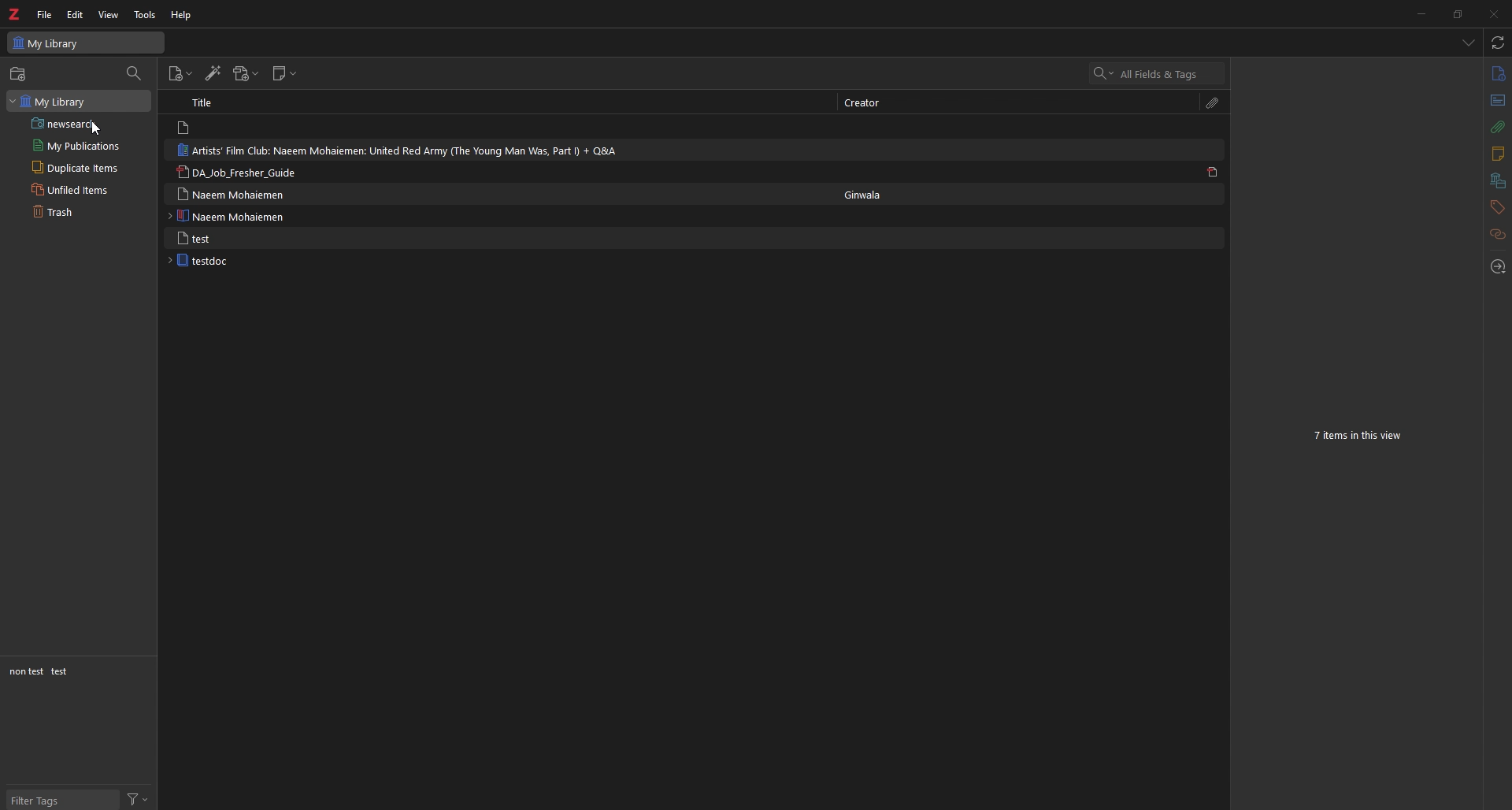 This screenshot has width=1512, height=810. I want to click on Attachments, so click(1495, 129).